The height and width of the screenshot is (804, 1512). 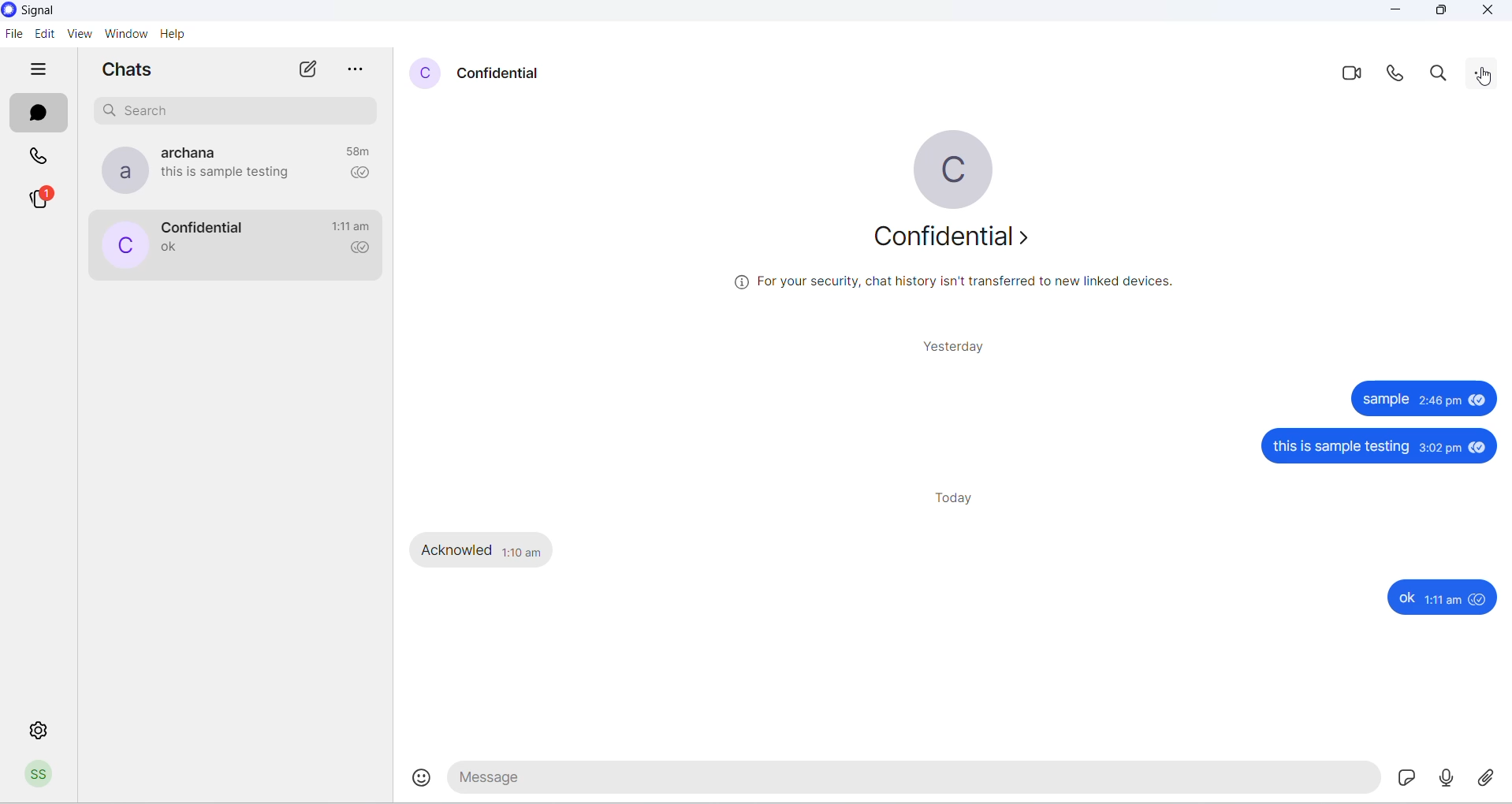 I want to click on seen, so click(x=1477, y=598).